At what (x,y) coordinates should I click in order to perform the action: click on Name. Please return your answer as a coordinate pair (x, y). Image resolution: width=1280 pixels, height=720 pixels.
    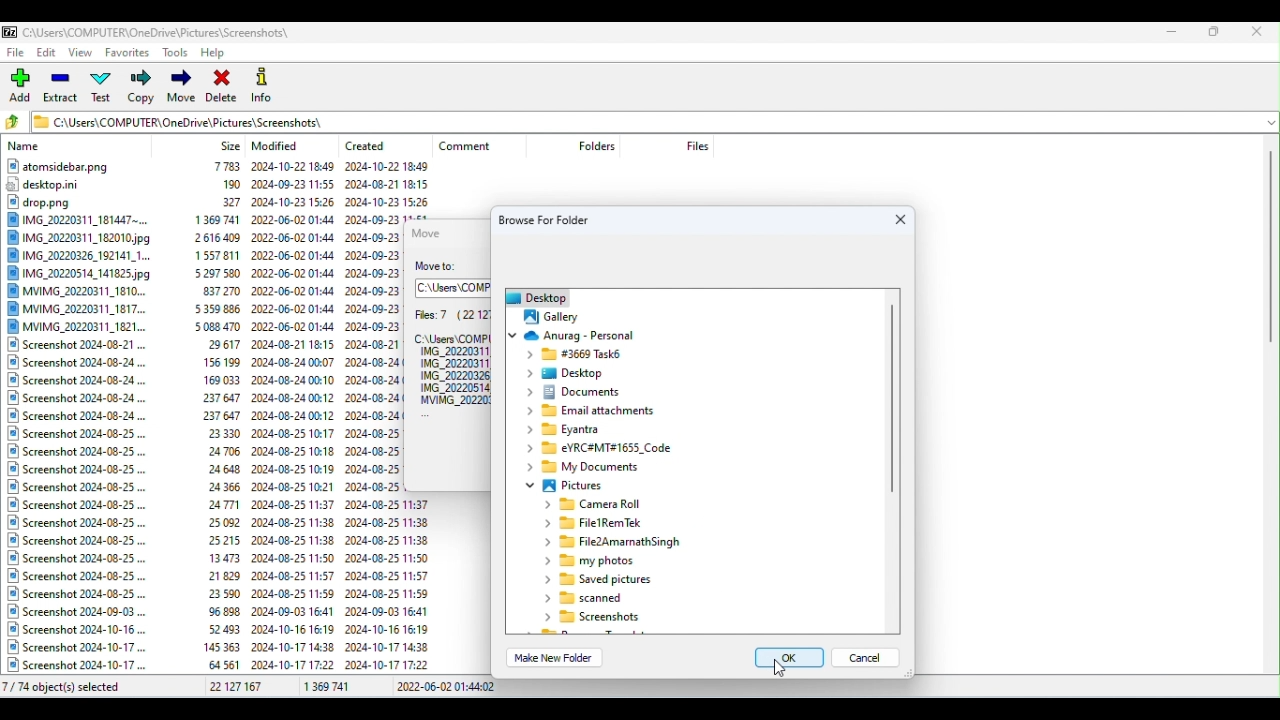
    Looking at the image, I should click on (27, 147).